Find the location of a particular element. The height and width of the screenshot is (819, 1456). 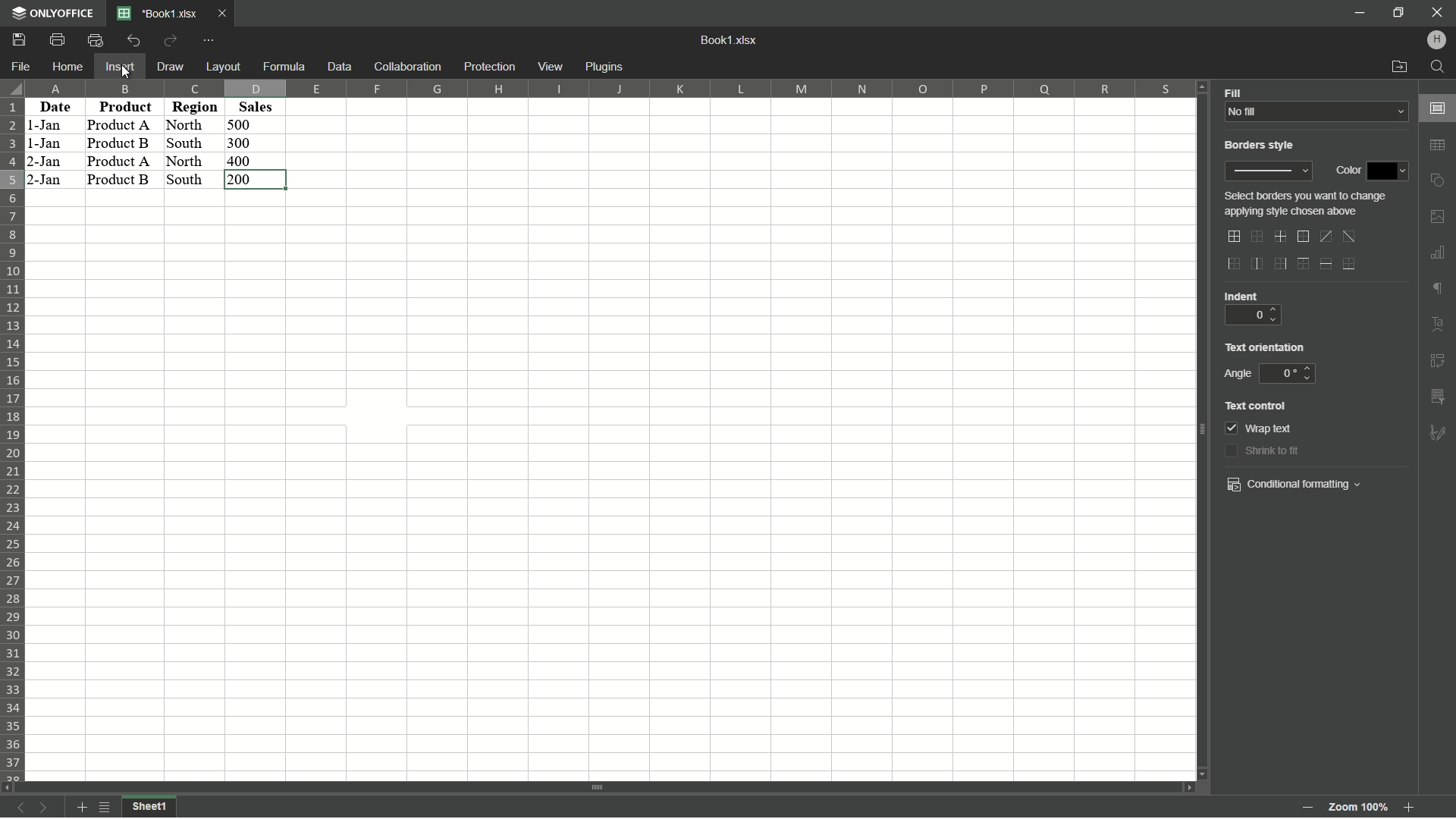

save is located at coordinates (20, 41).